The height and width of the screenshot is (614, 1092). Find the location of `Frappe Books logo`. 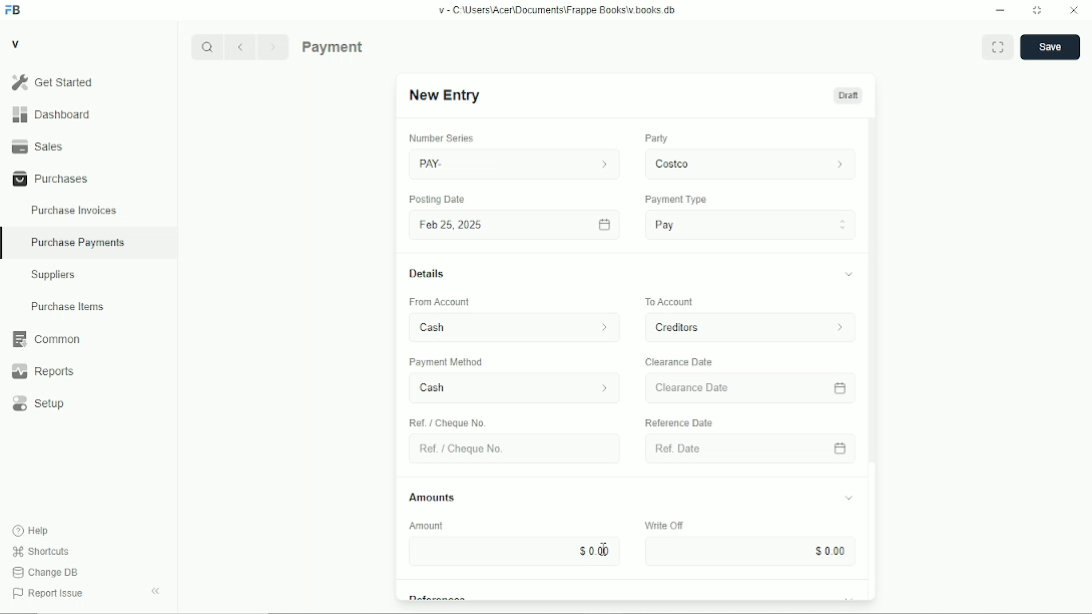

Frappe Books logo is located at coordinates (12, 10).